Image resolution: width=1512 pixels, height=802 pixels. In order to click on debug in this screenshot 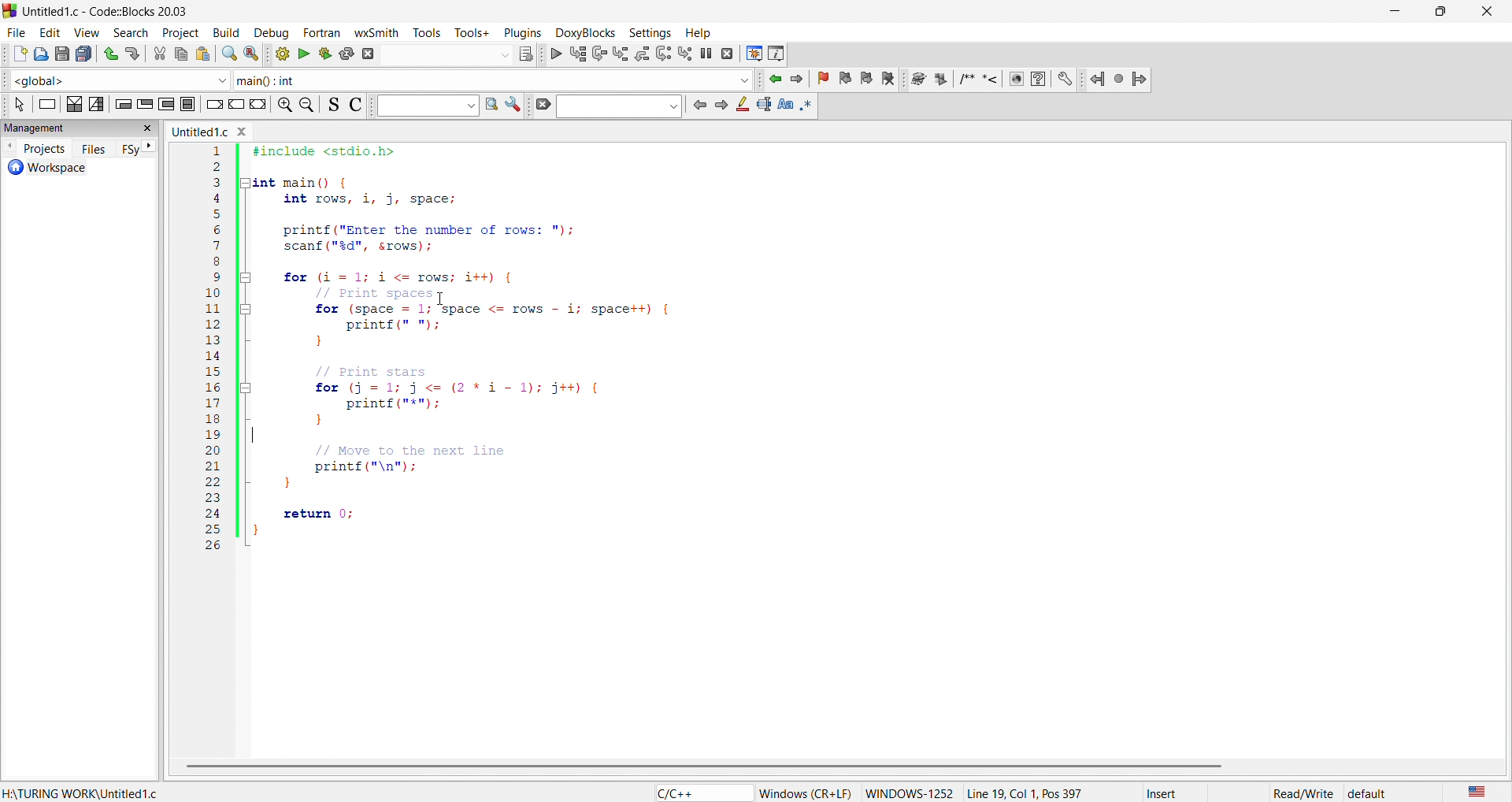, I will do `click(269, 32)`.